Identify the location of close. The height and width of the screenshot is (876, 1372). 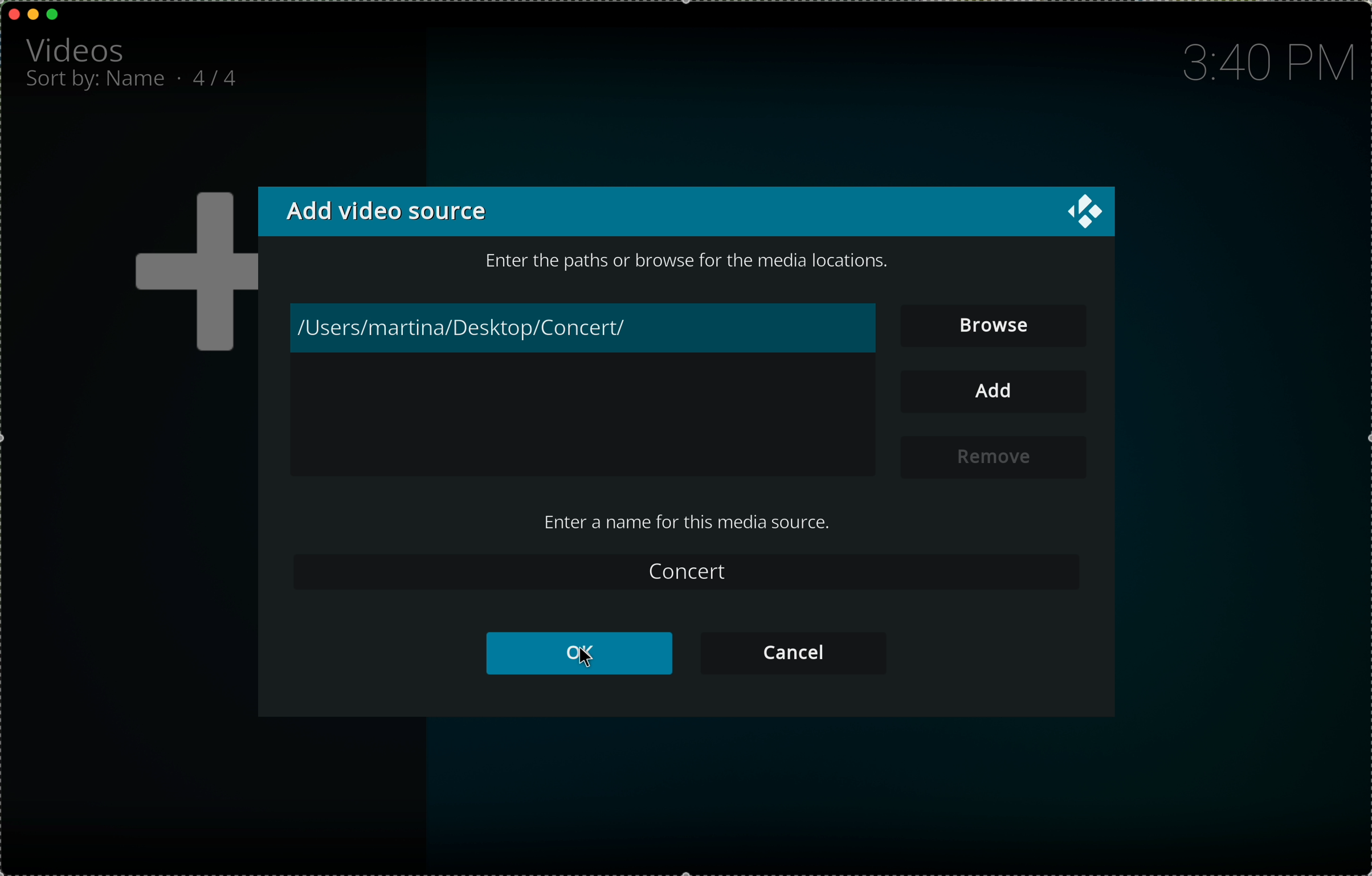
(15, 14).